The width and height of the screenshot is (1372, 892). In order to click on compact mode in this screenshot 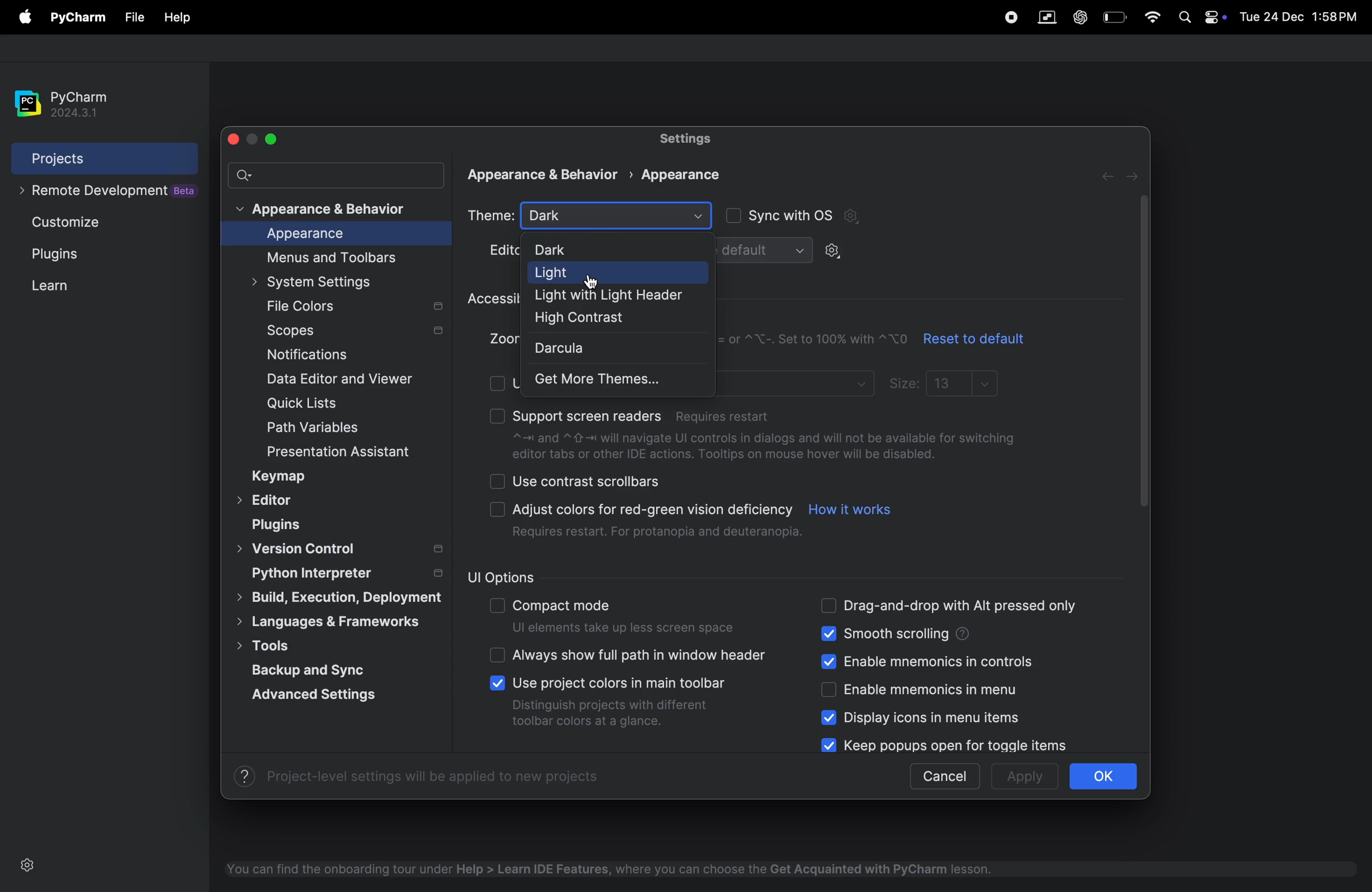, I will do `click(590, 606)`.